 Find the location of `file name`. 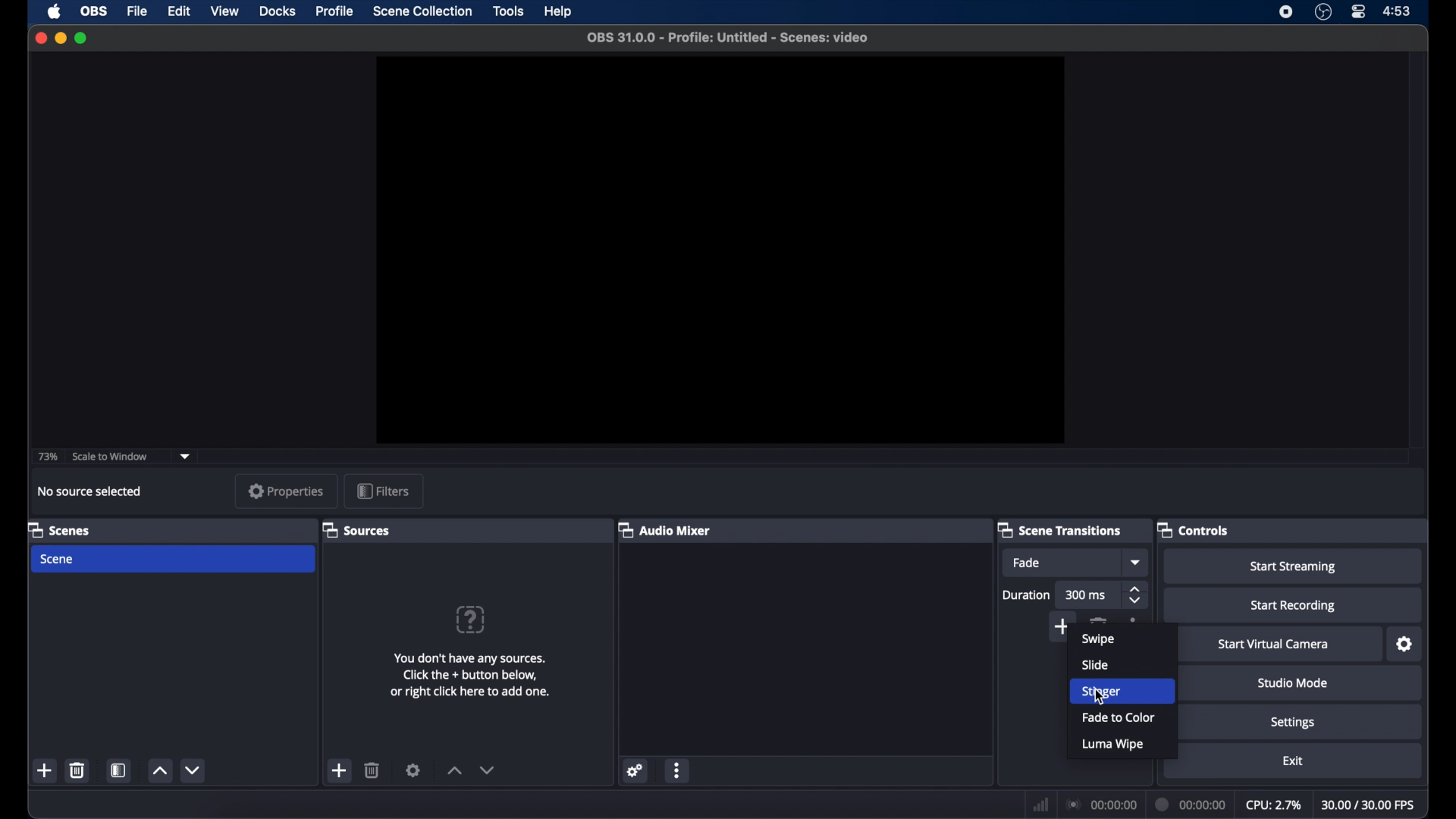

file name is located at coordinates (729, 38).